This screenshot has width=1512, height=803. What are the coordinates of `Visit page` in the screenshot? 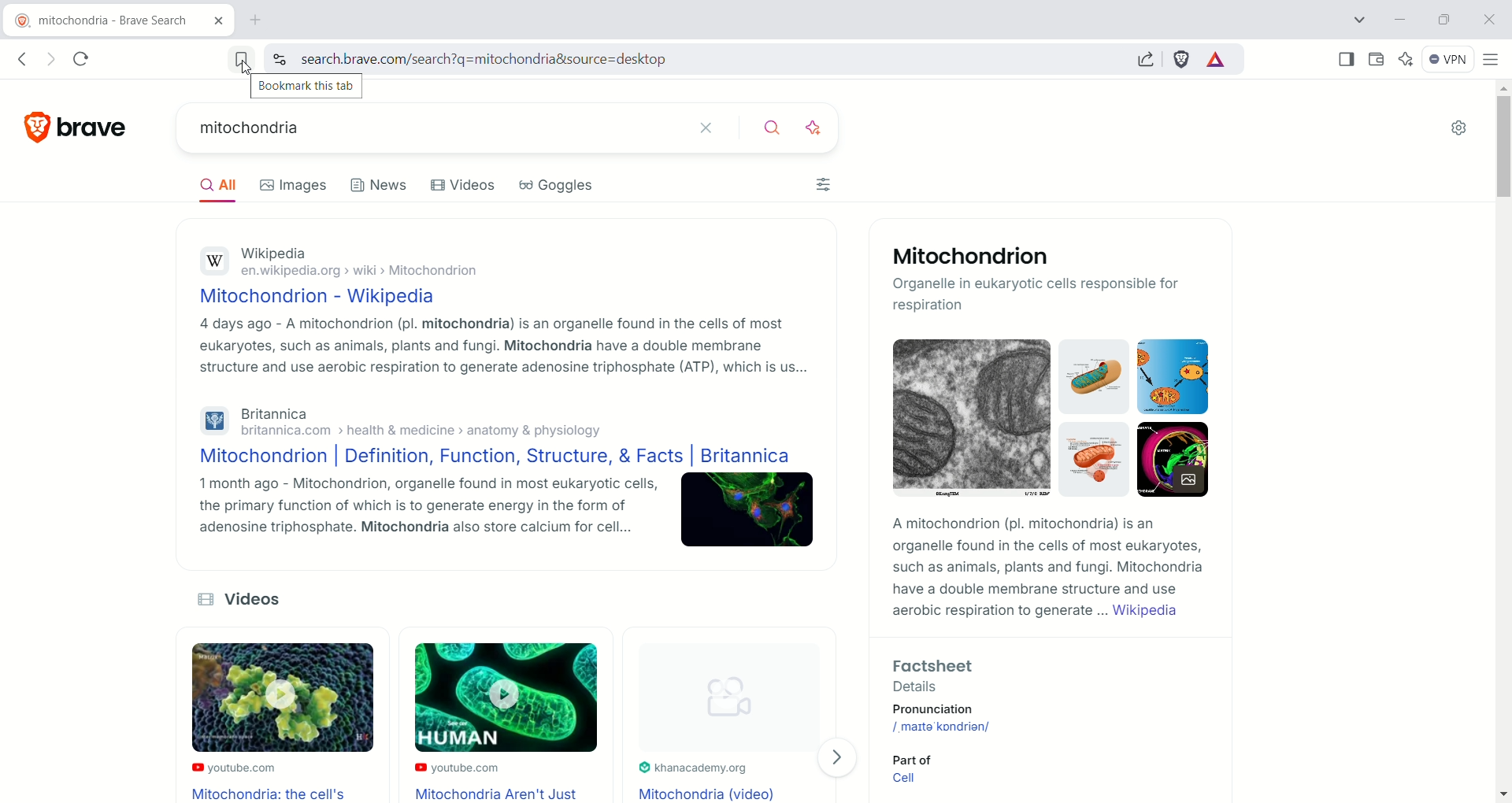 It's located at (842, 757).